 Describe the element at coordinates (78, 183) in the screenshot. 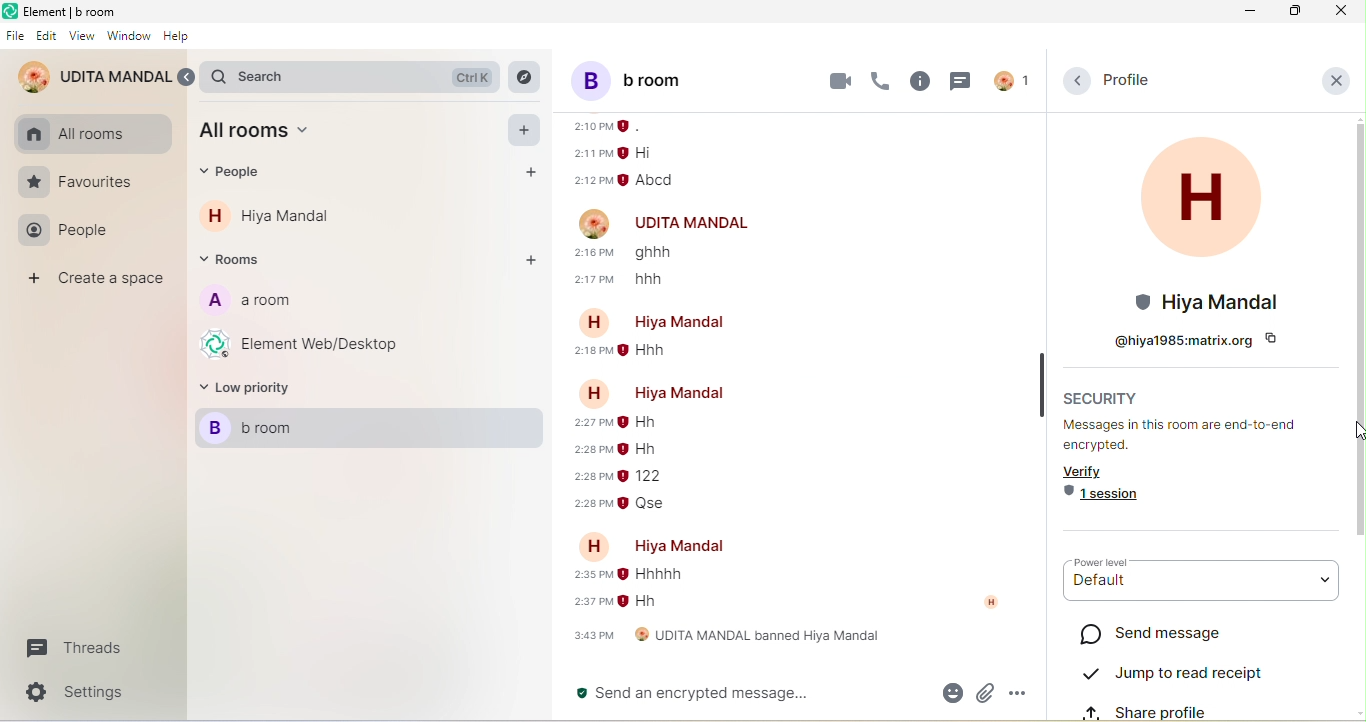

I see `favourites` at that location.